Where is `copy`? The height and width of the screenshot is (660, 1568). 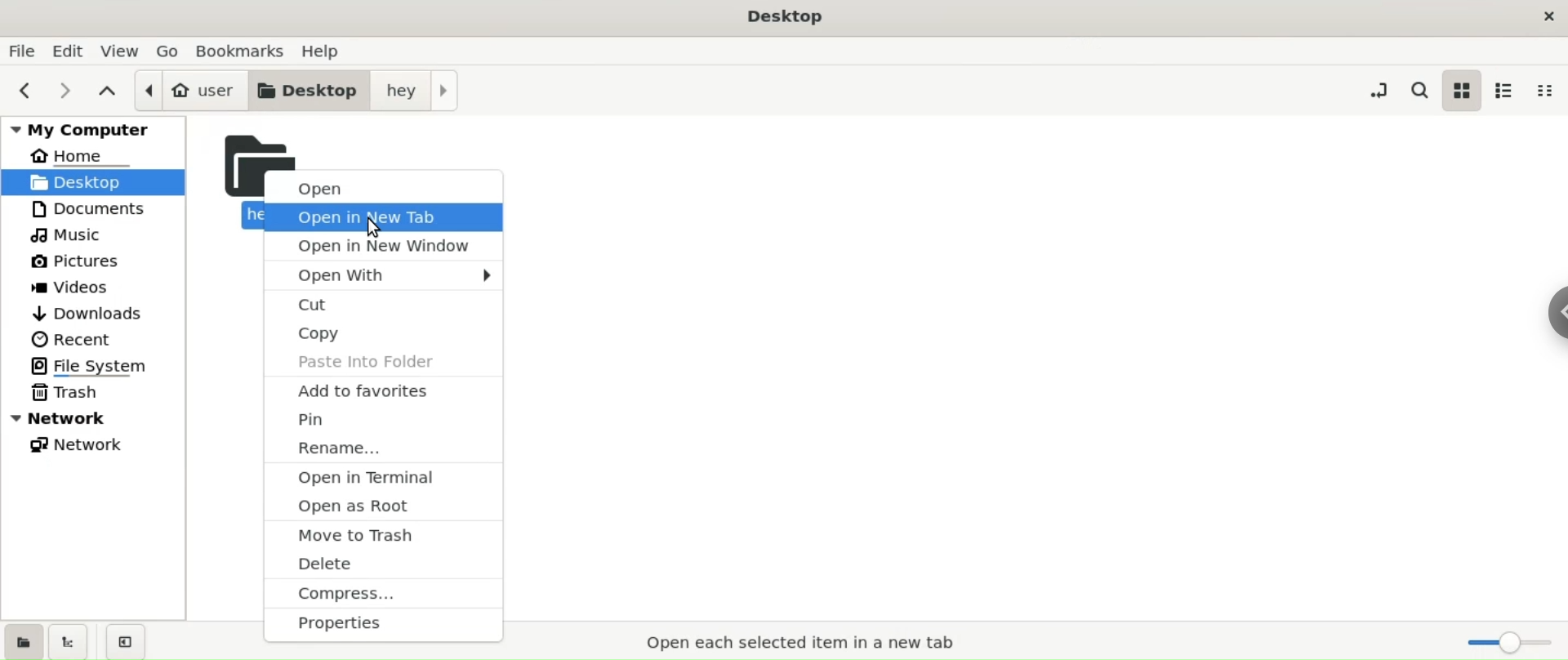 copy is located at coordinates (385, 331).